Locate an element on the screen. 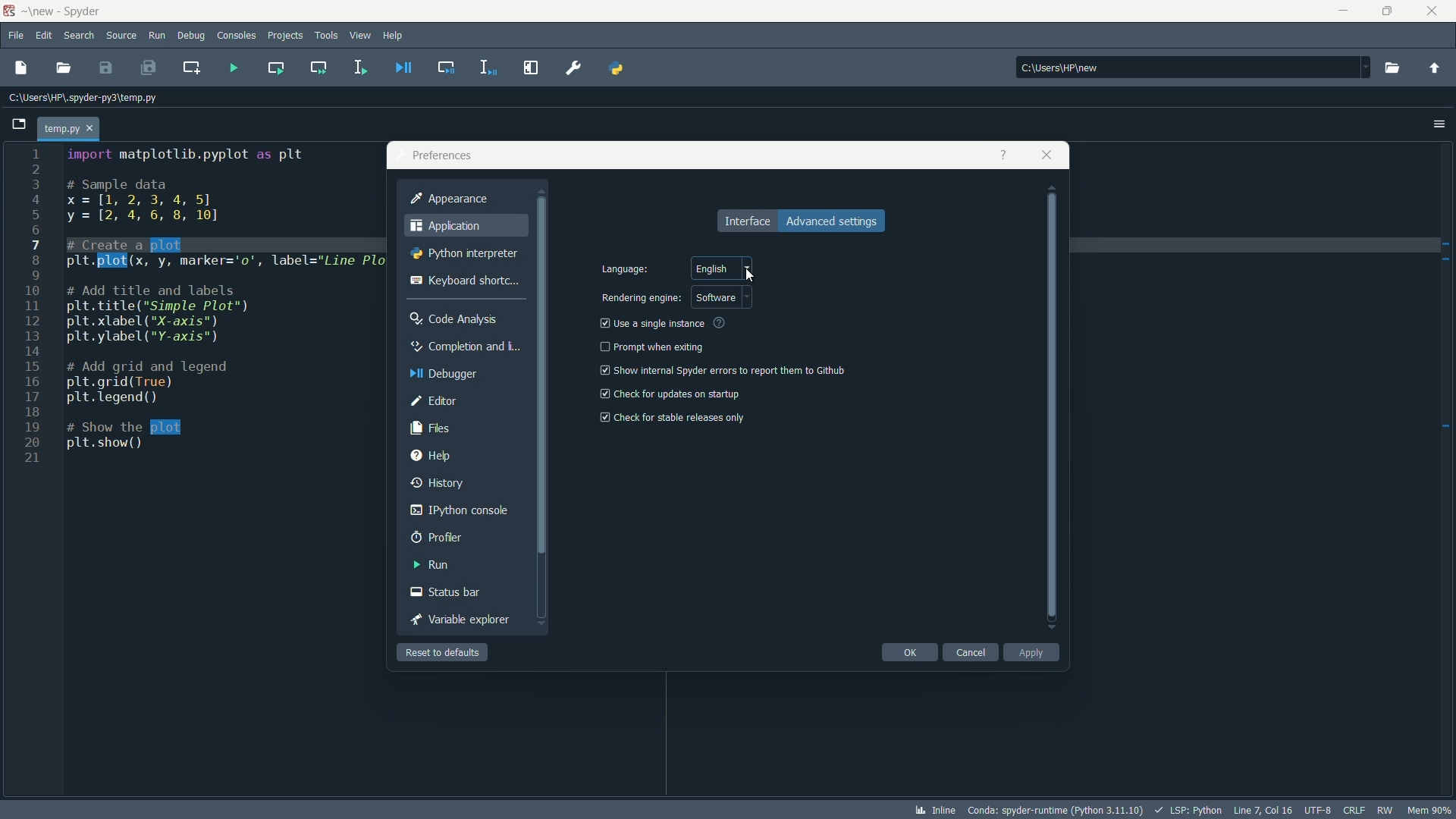  editor is located at coordinates (435, 402).